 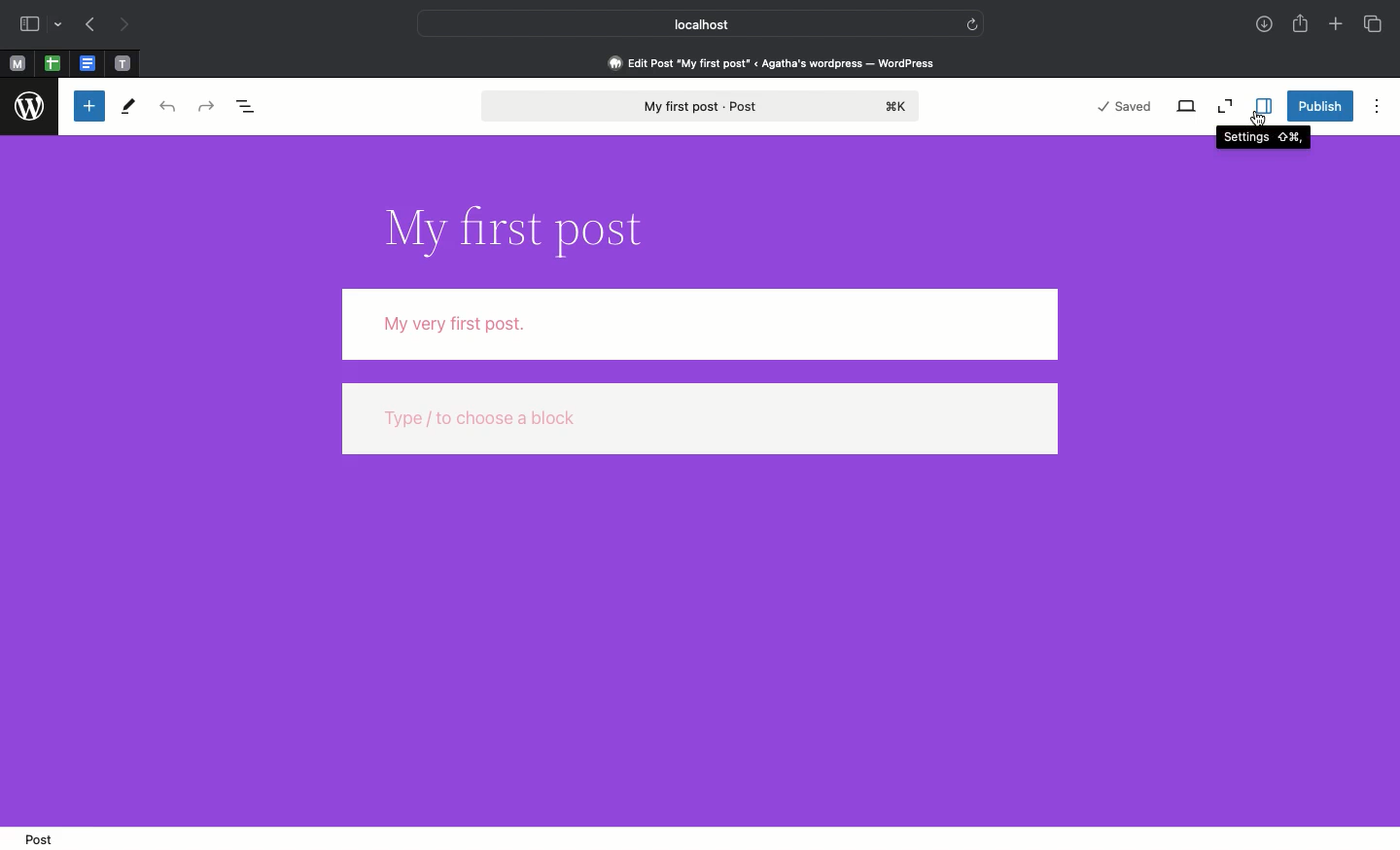 I want to click on Pinned tabs, so click(x=18, y=63).